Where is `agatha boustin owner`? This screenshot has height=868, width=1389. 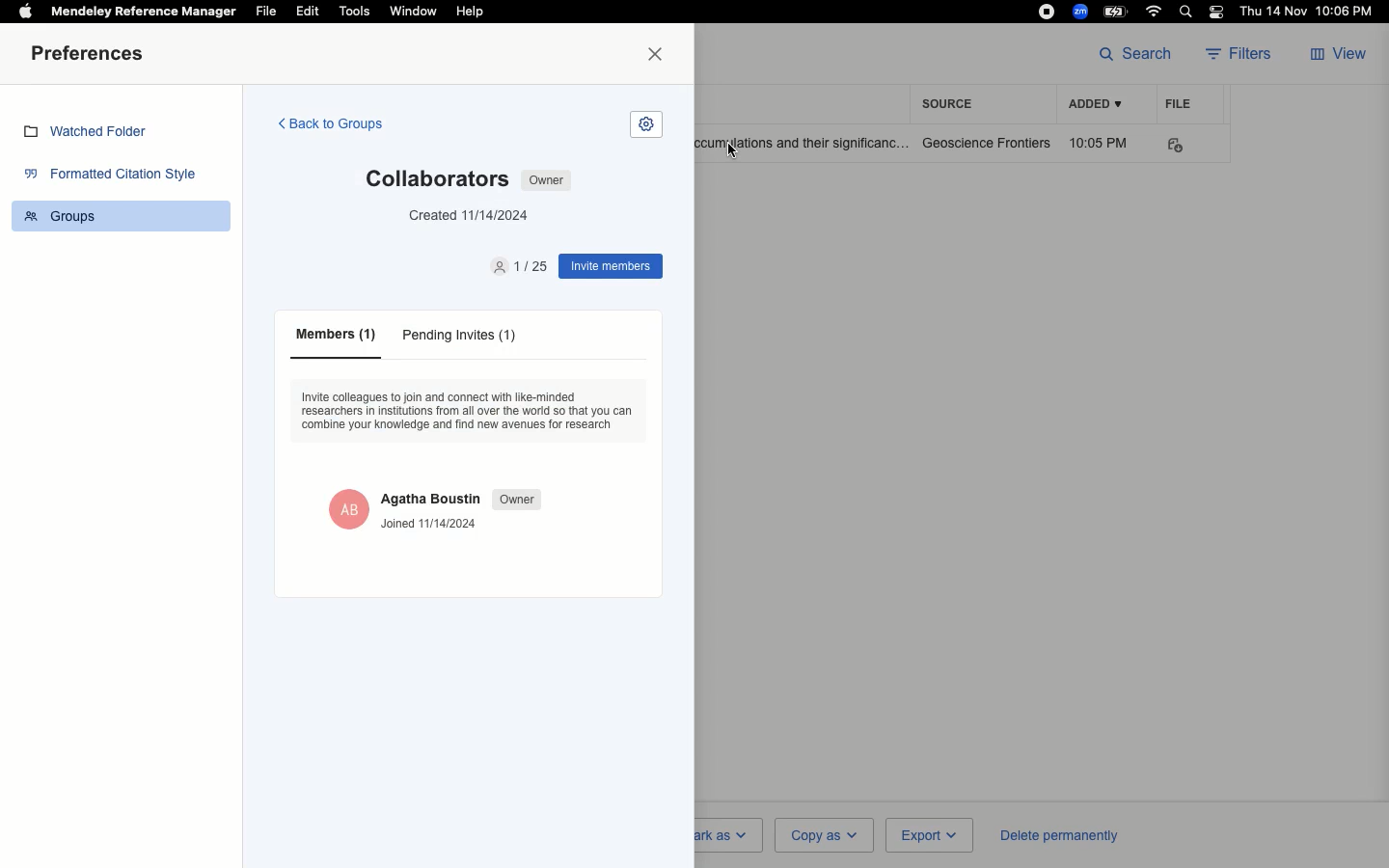
agatha boustin owner is located at coordinates (348, 508).